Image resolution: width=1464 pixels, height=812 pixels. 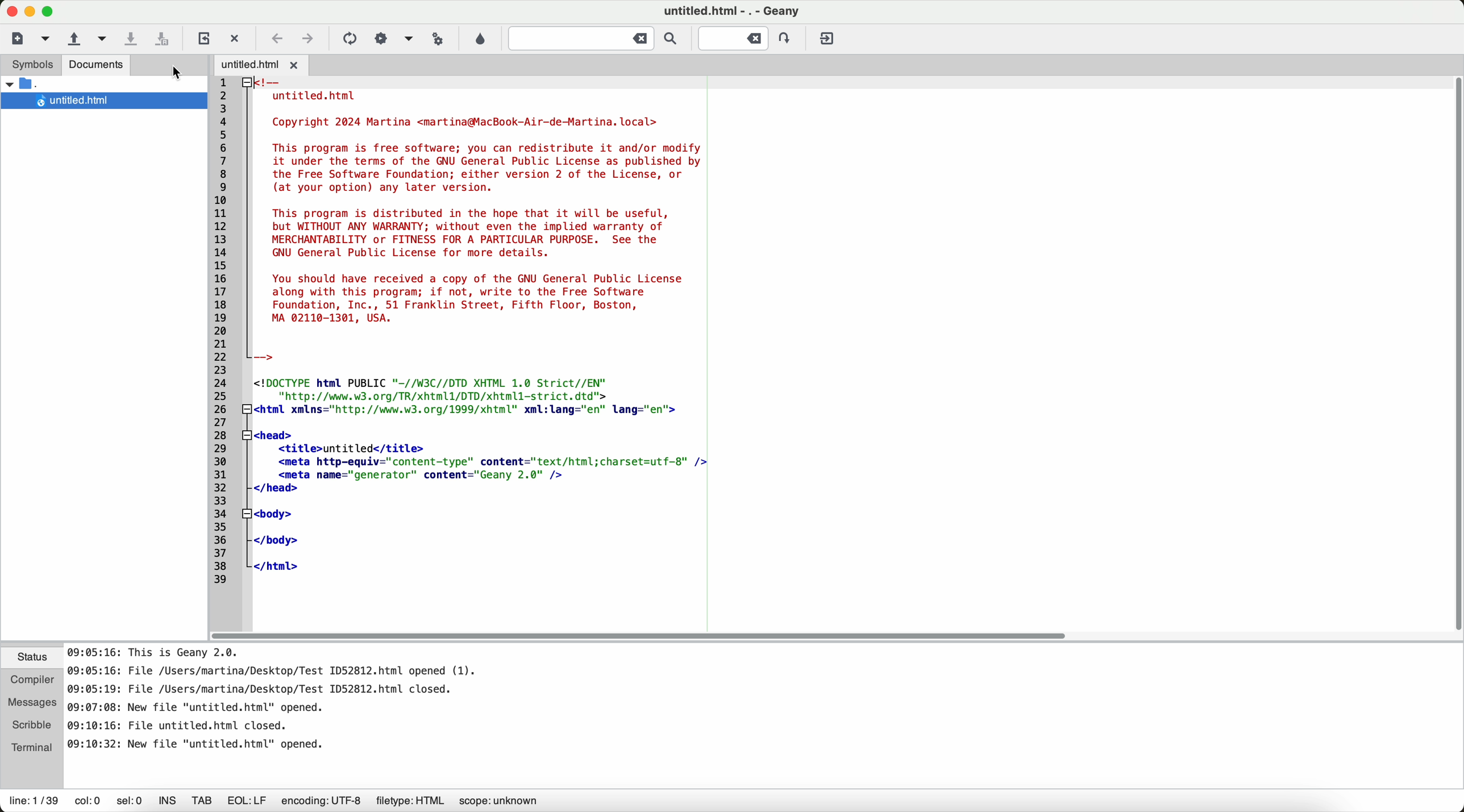 What do you see at coordinates (308, 38) in the screenshot?
I see `navigate foward` at bounding box center [308, 38].